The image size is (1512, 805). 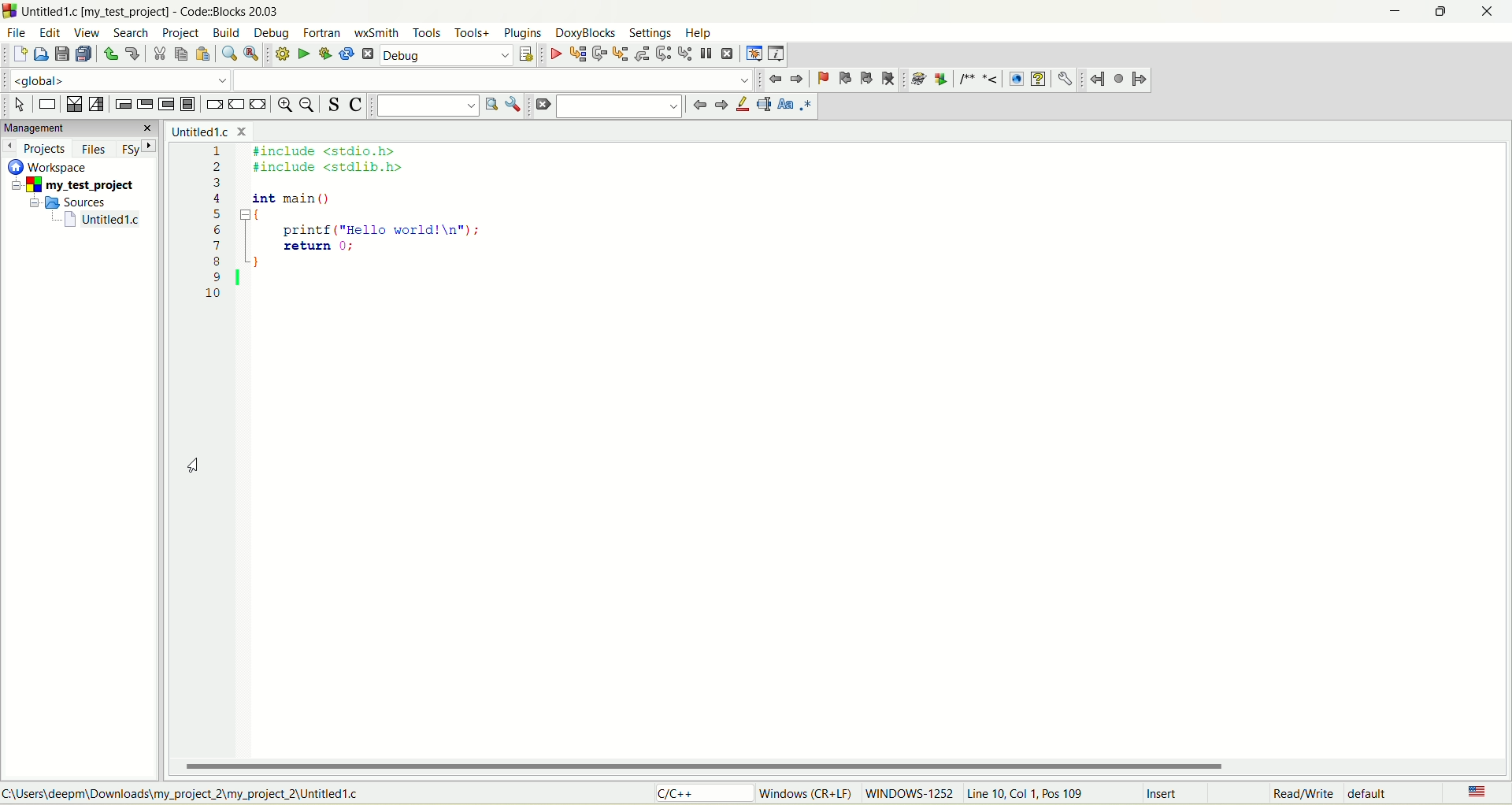 What do you see at coordinates (680, 794) in the screenshot?
I see `C/C++` at bounding box center [680, 794].